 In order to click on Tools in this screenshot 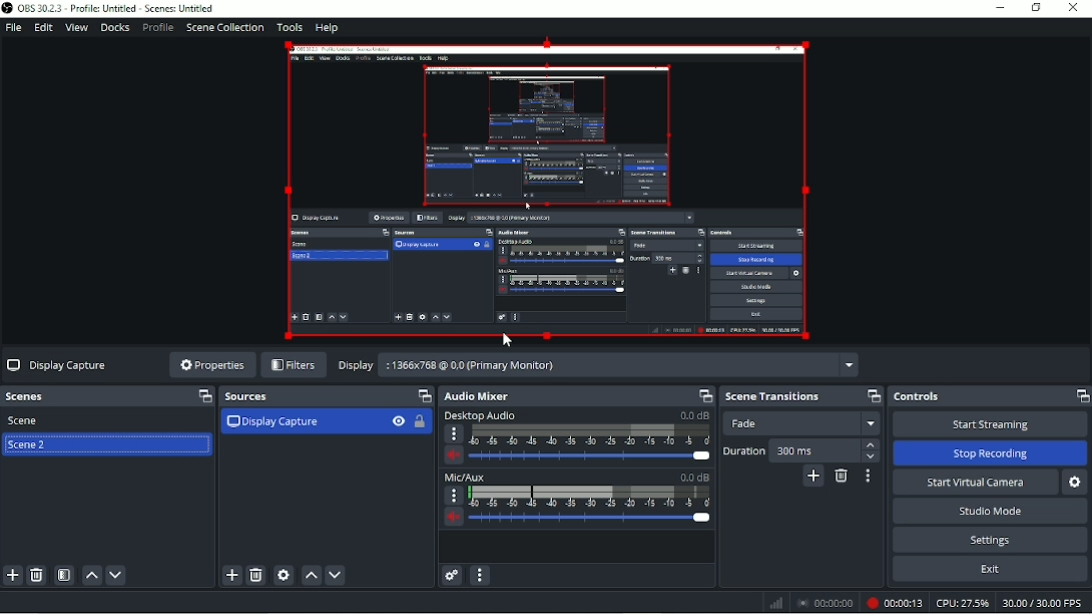, I will do `click(291, 25)`.